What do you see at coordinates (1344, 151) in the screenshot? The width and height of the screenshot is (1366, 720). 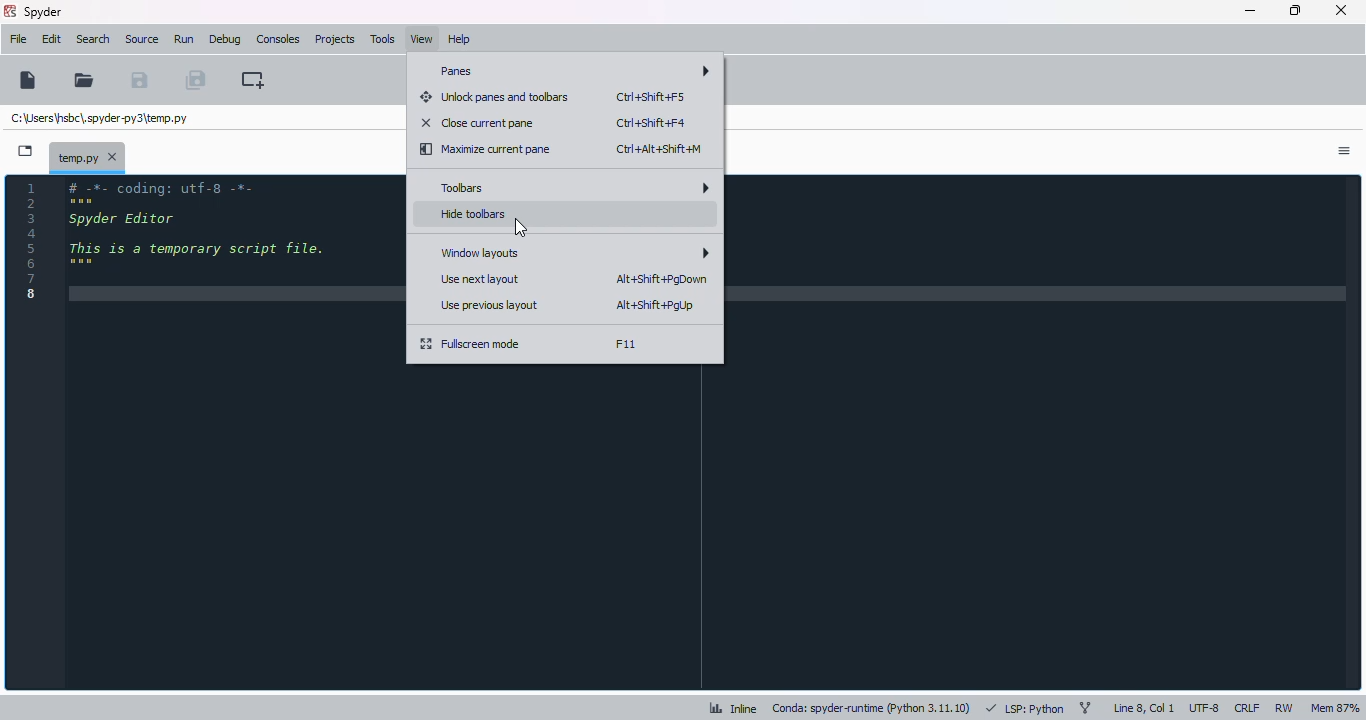 I see `options` at bounding box center [1344, 151].